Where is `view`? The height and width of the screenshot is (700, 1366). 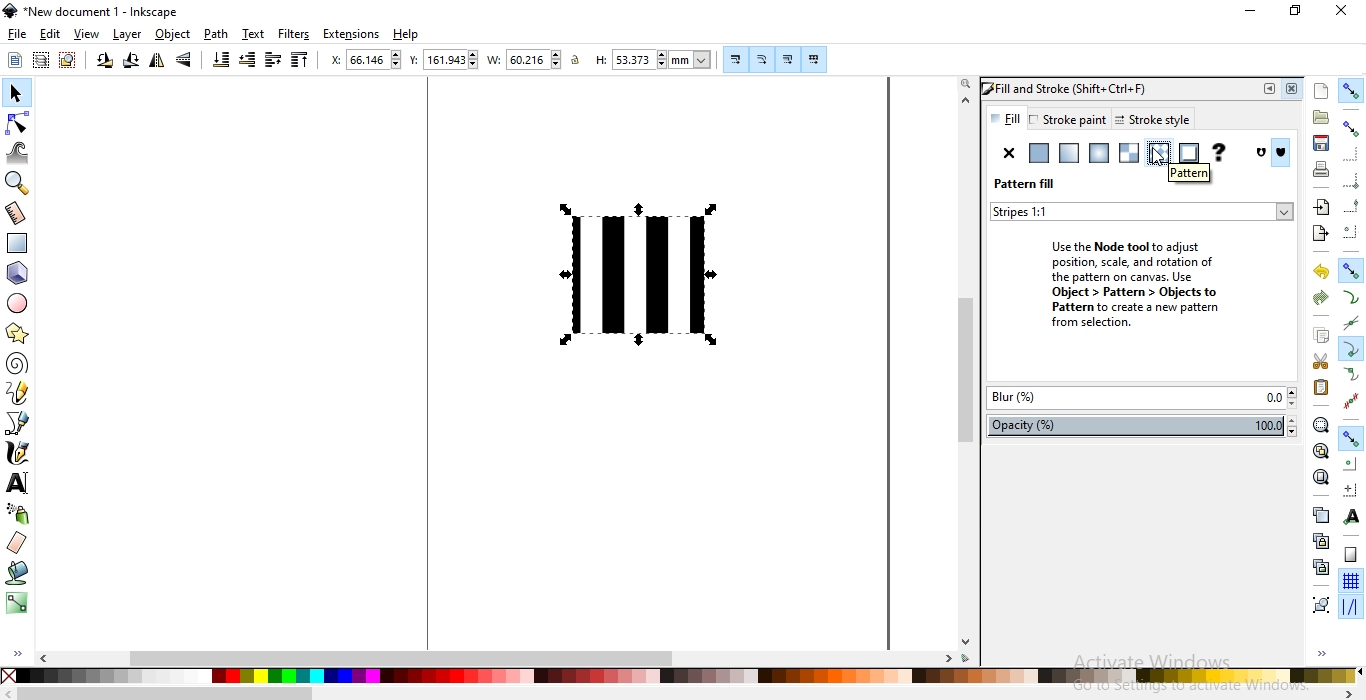
view is located at coordinates (88, 34).